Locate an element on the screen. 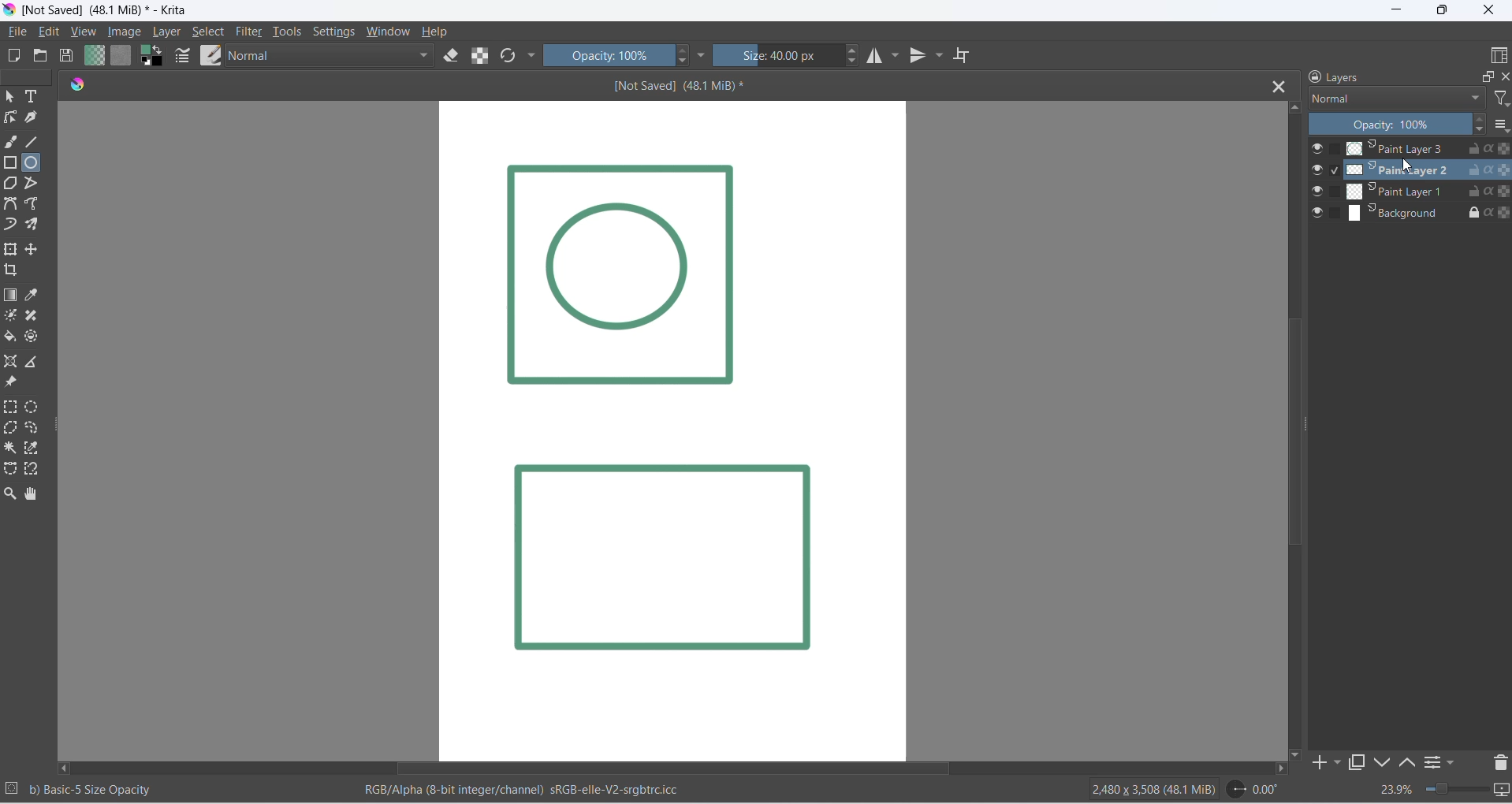 The width and height of the screenshot is (1512, 804). contigous selection stool is located at coordinates (11, 448).